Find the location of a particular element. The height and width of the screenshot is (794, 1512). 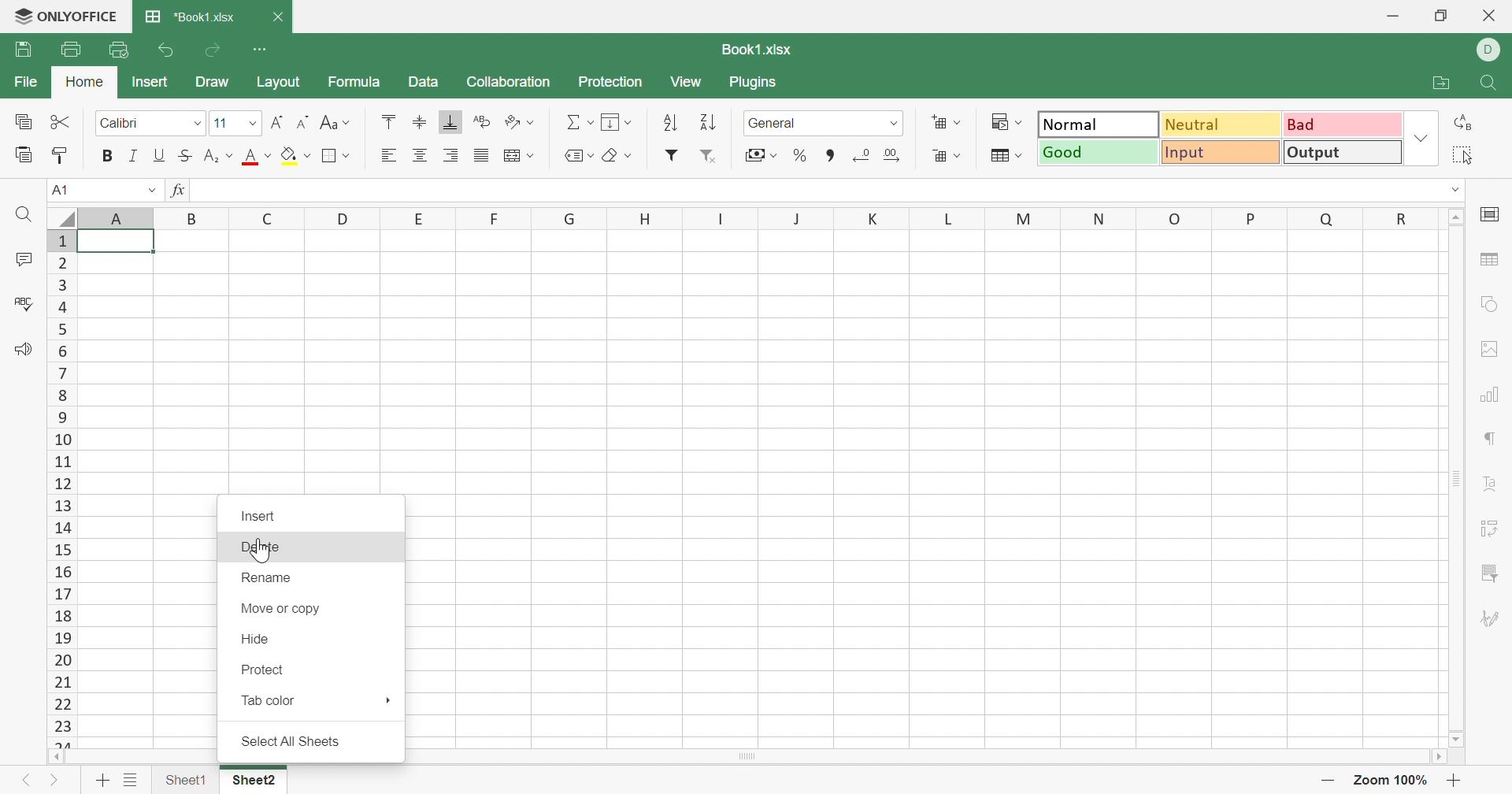

Drop Down is located at coordinates (895, 123).